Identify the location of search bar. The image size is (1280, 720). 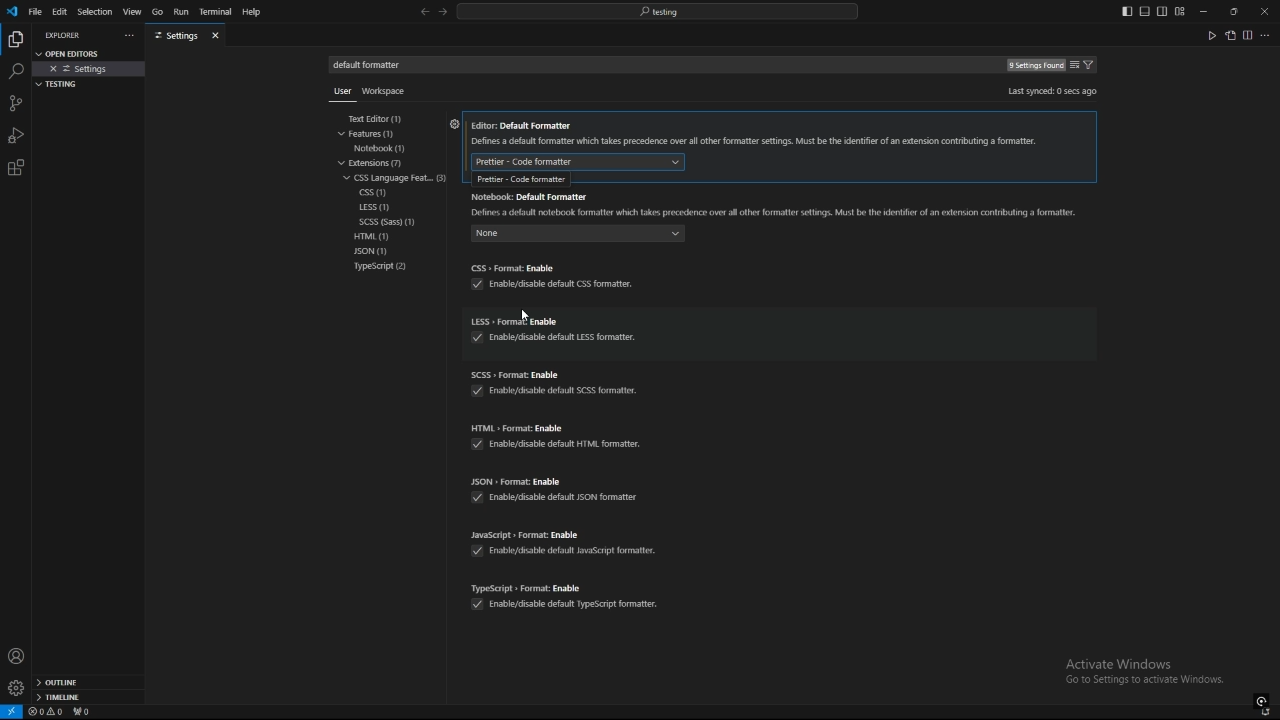
(657, 11).